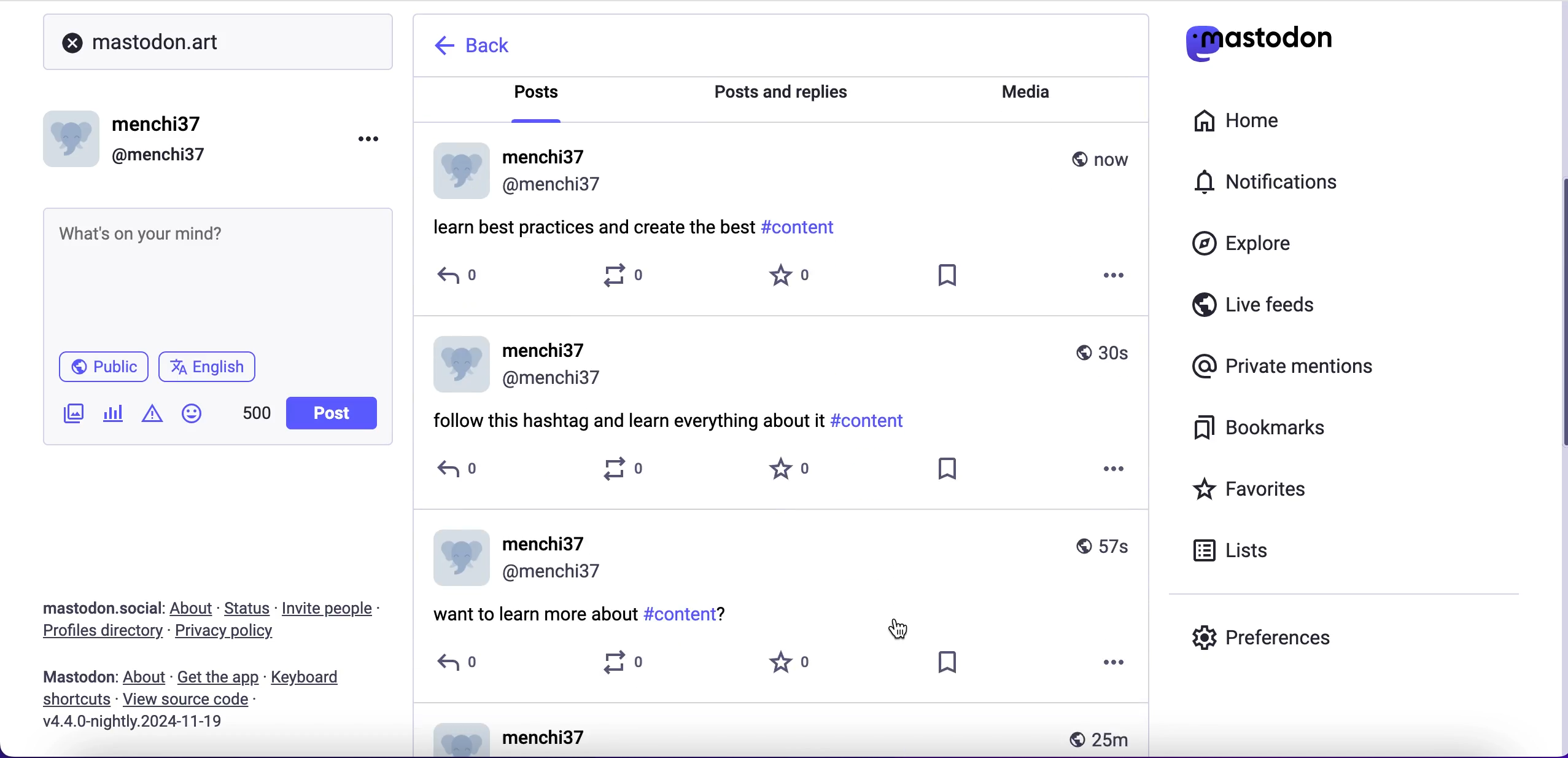  Describe the element at coordinates (1282, 44) in the screenshot. I see `mastodon logo` at that location.